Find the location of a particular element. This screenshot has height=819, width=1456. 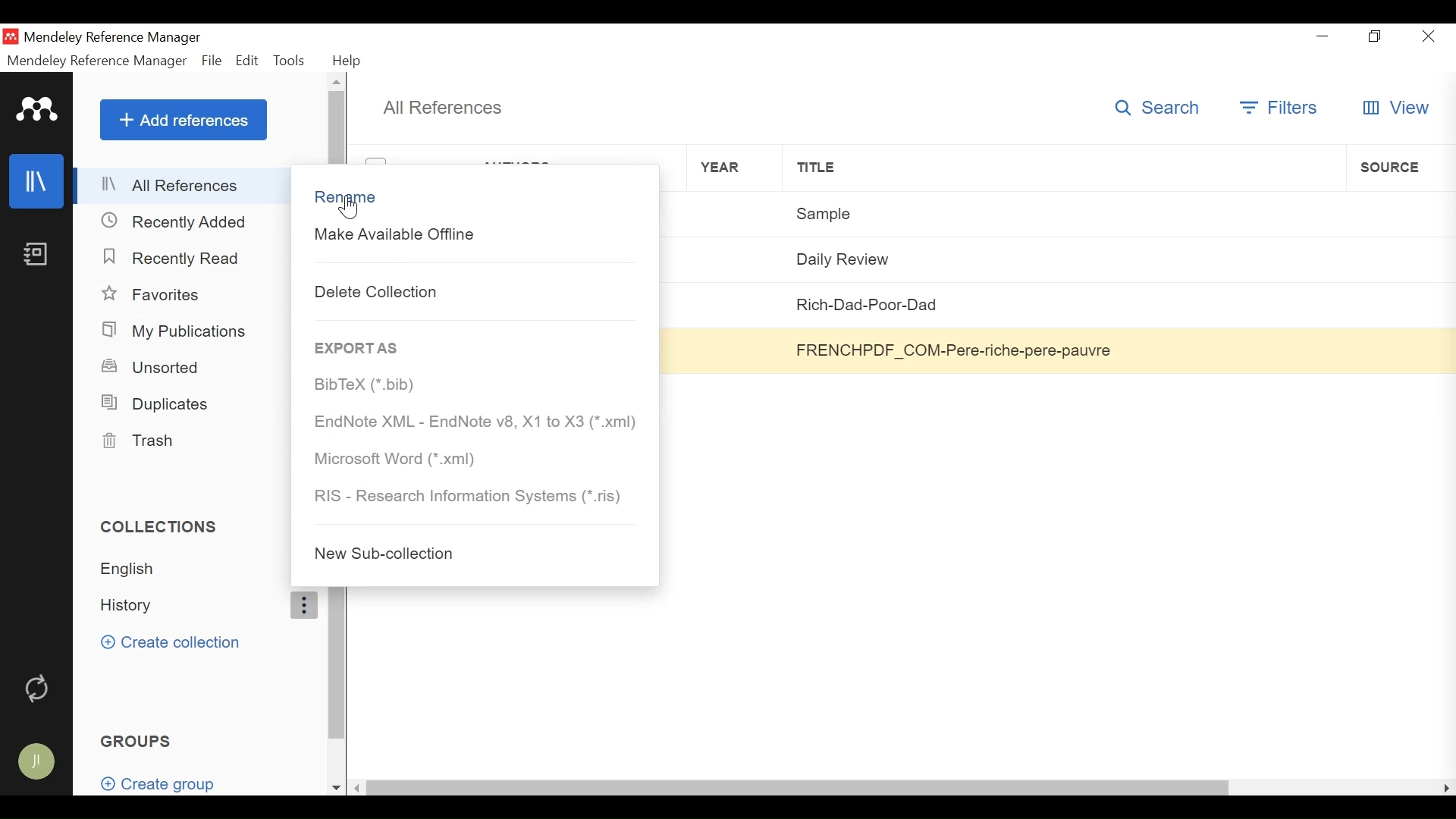

Unsorted is located at coordinates (154, 366).